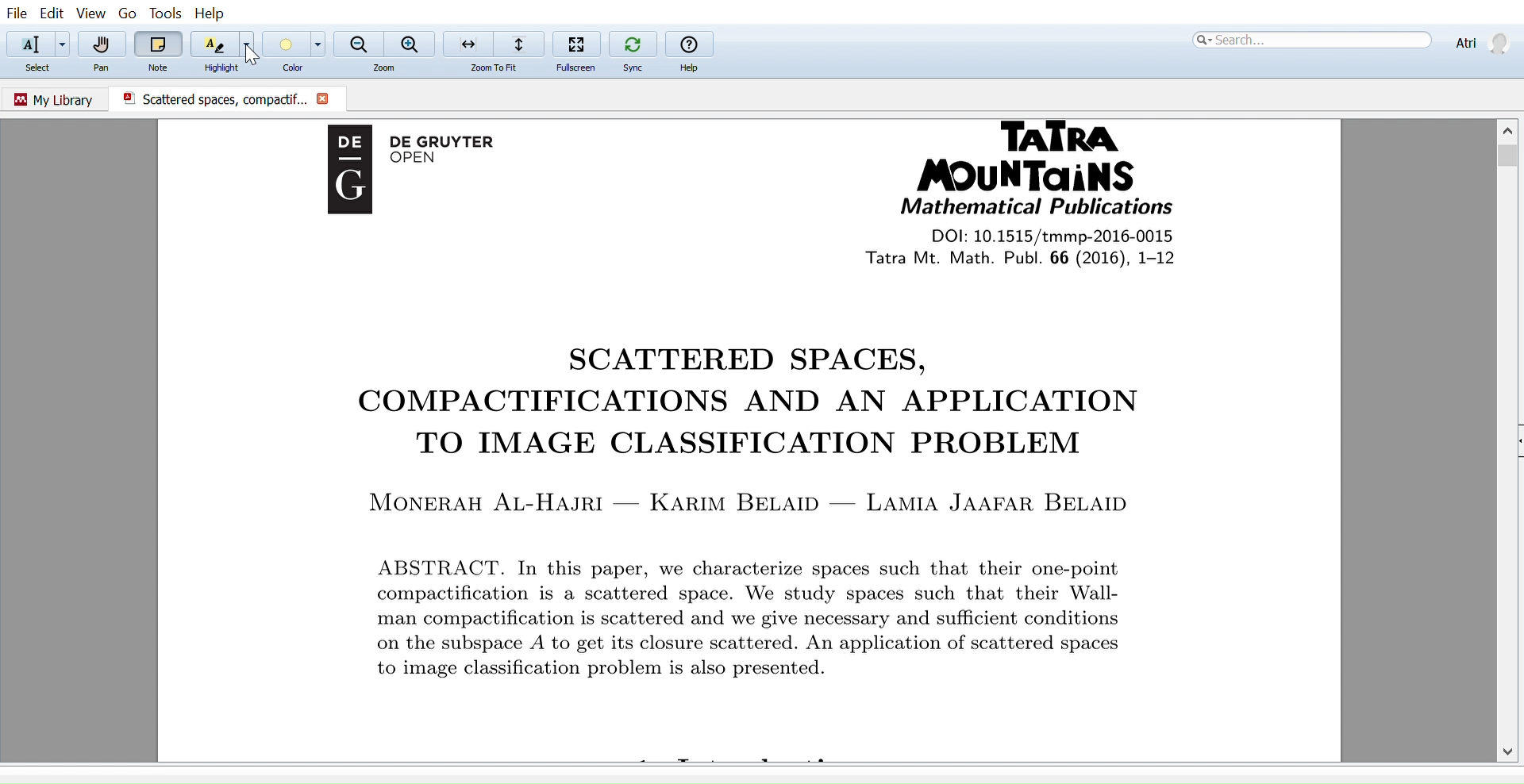 This screenshot has width=1524, height=784. I want to click on compactification is a scattered space. We study spaces such that their Wall-, so click(791, 596).